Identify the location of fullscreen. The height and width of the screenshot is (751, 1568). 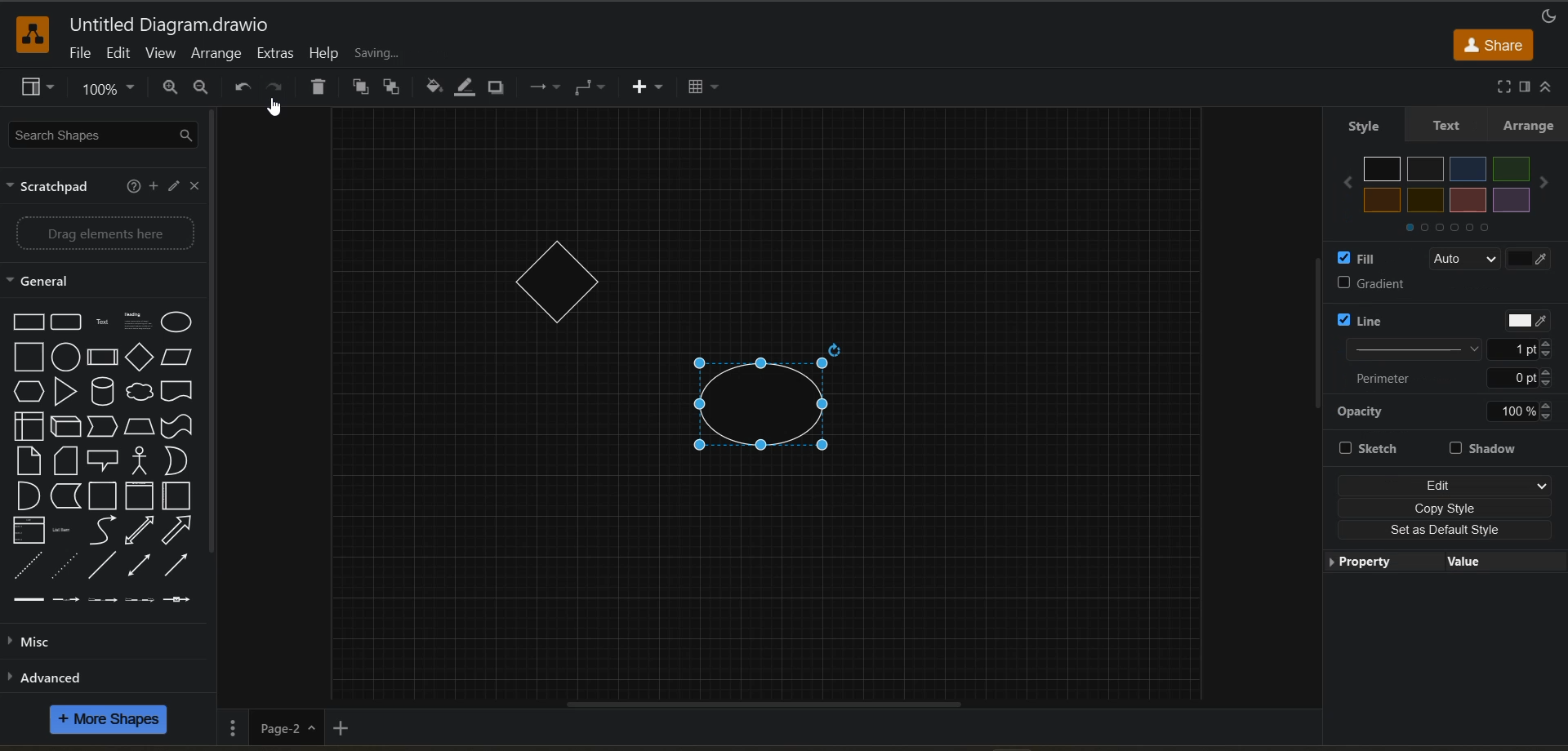
(1503, 87).